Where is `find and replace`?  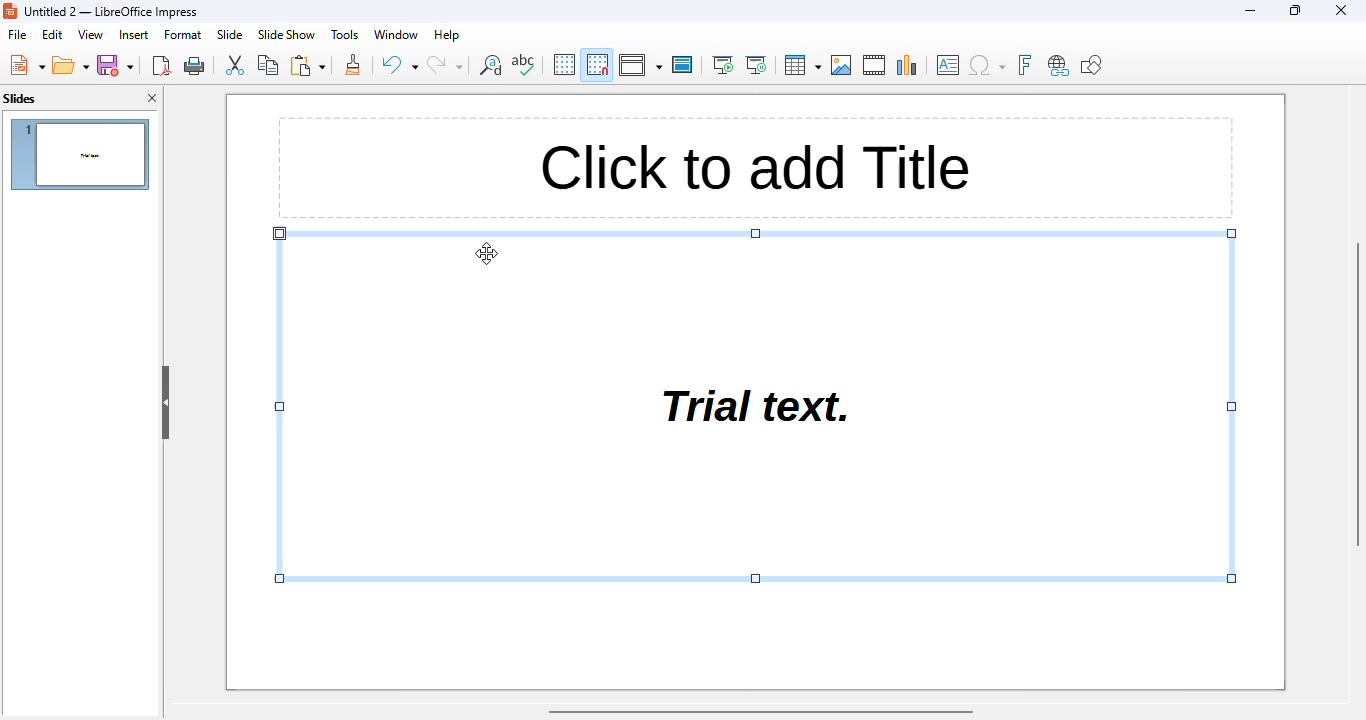
find and replace is located at coordinates (489, 65).